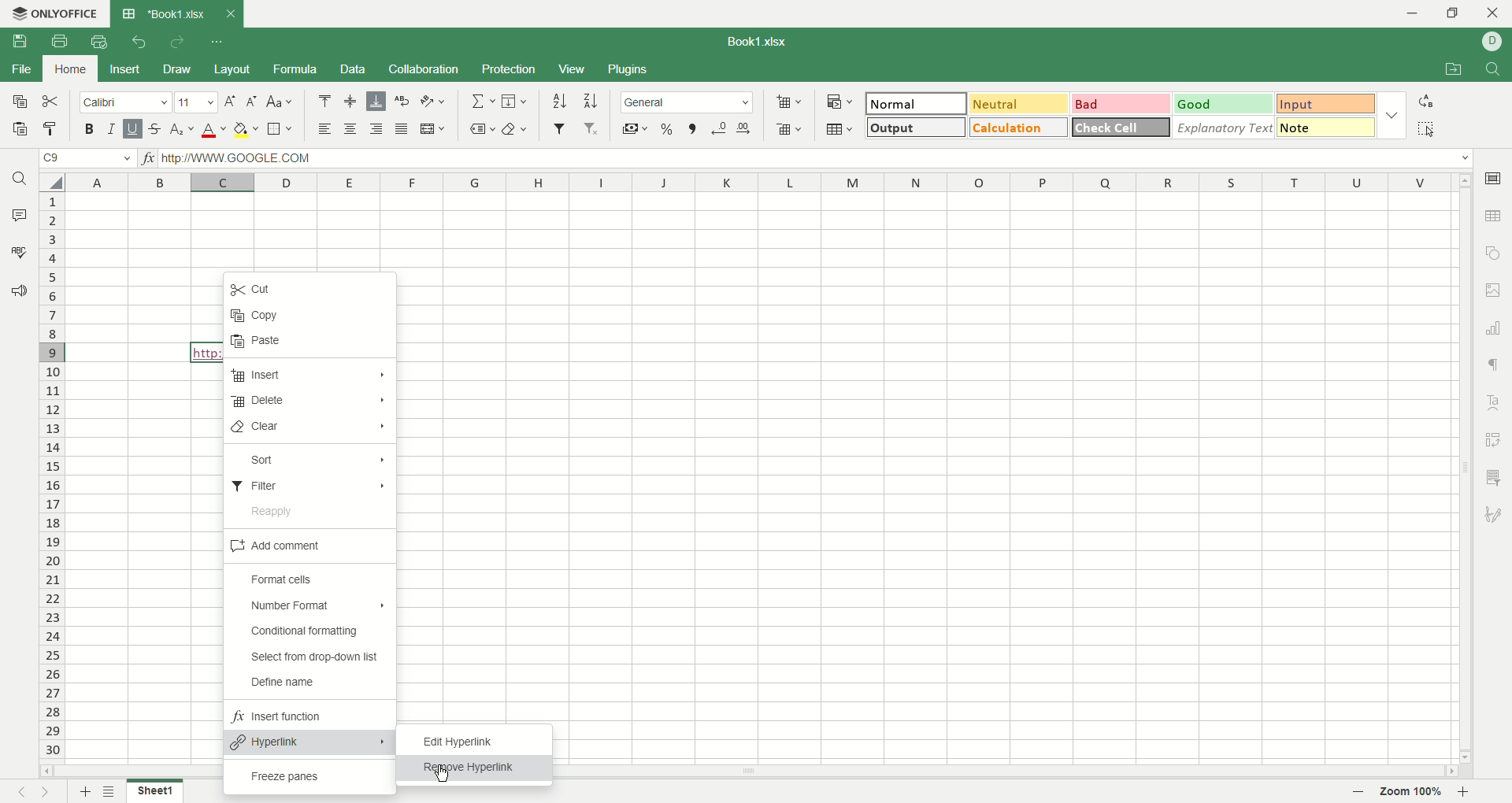  Describe the element at coordinates (229, 70) in the screenshot. I see `layout` at that location.